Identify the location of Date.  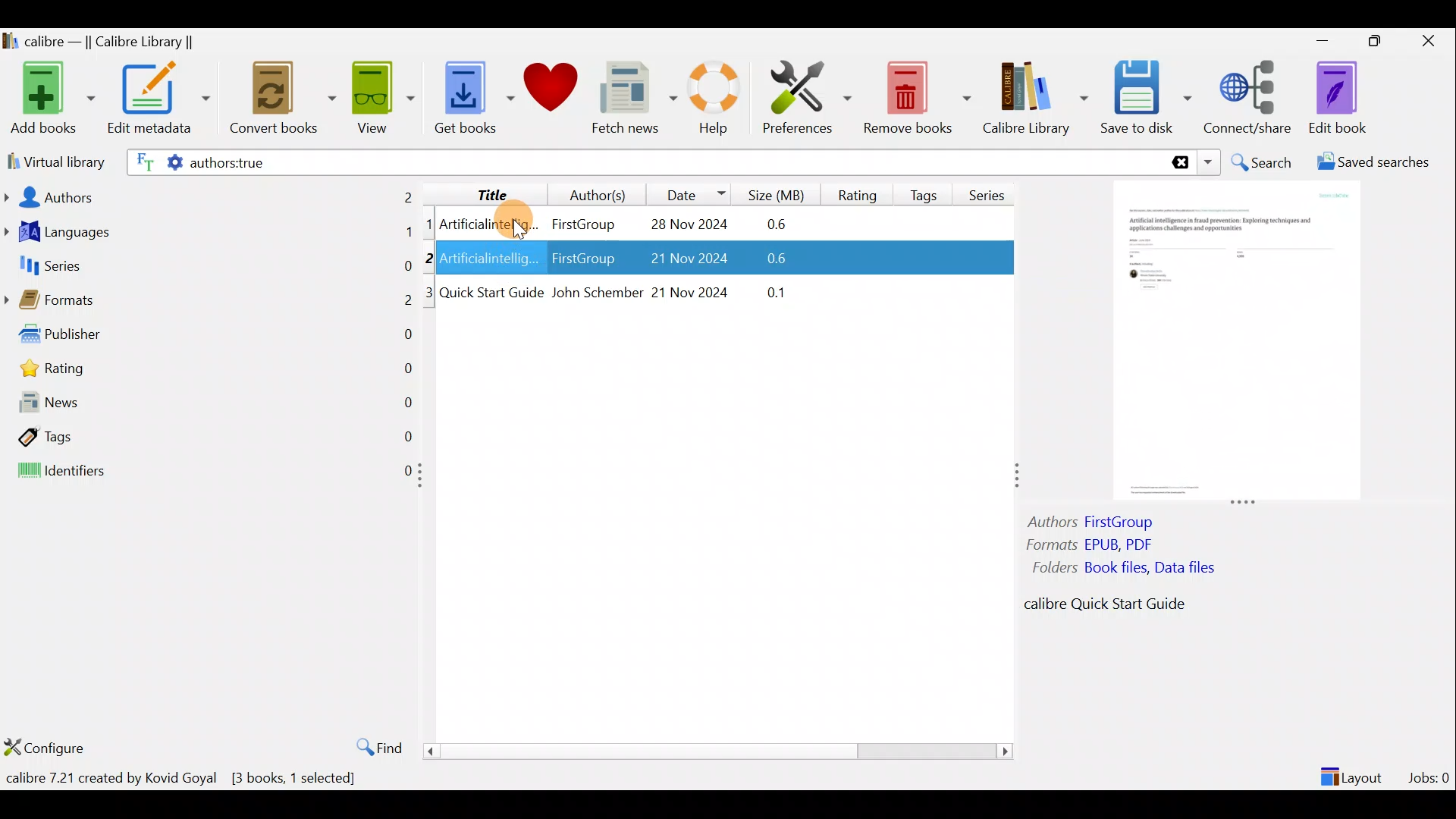
(689, 194).